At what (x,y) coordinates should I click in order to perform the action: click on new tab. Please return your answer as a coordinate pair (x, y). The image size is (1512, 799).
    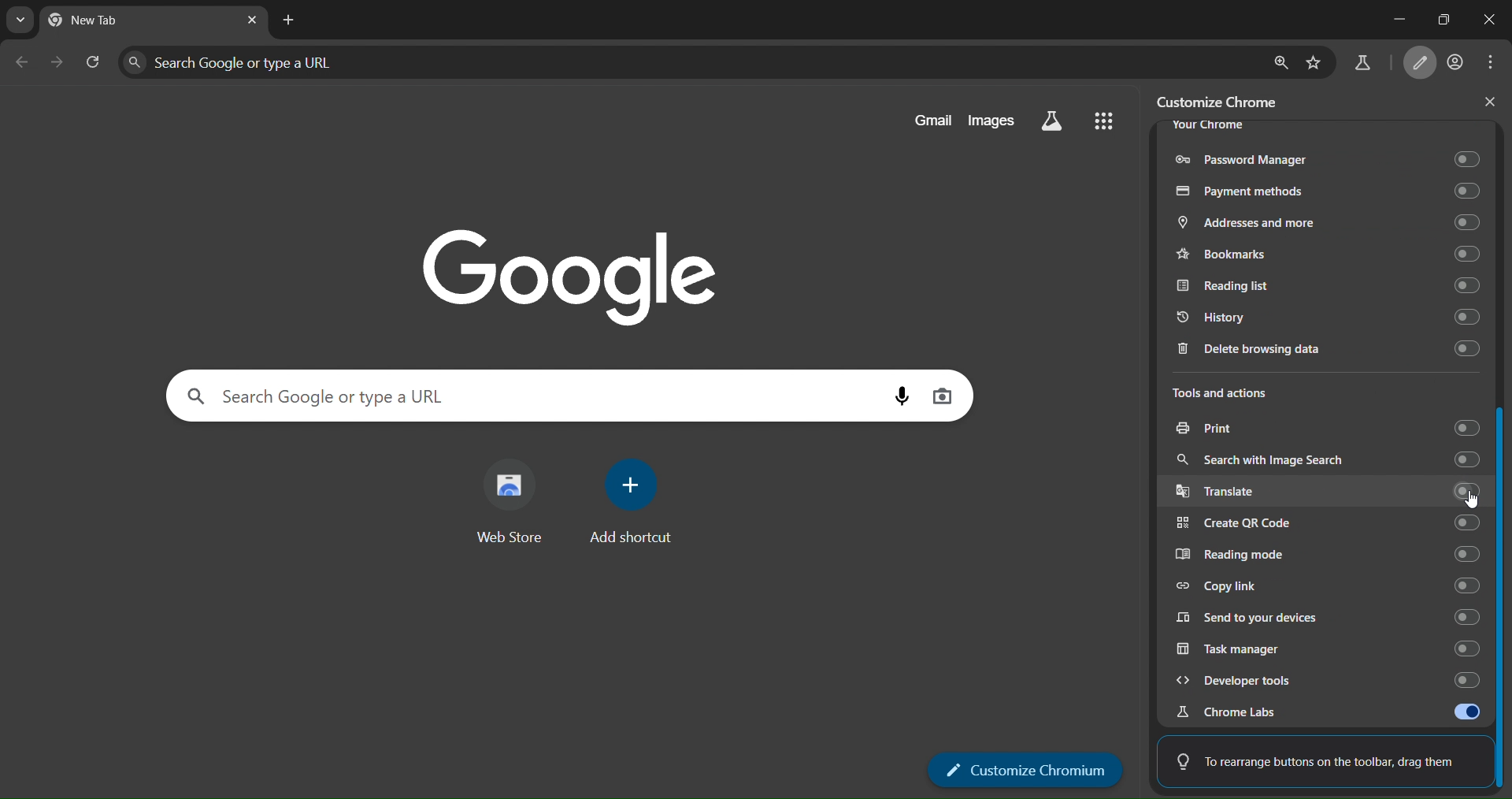
    Looking at the image, I should click on (289, 20).